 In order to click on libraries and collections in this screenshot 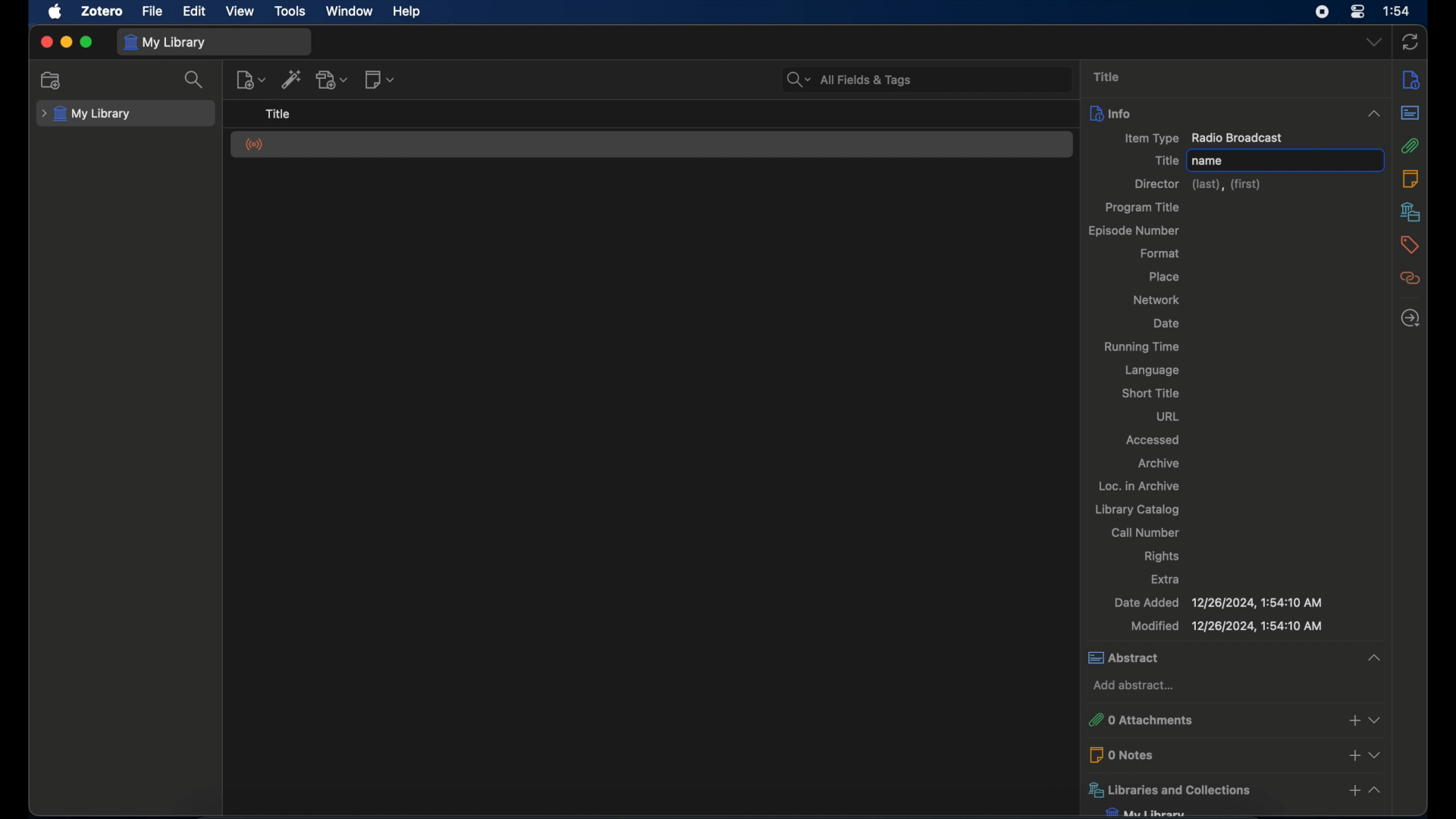, I will do `click(1234, 790)`.